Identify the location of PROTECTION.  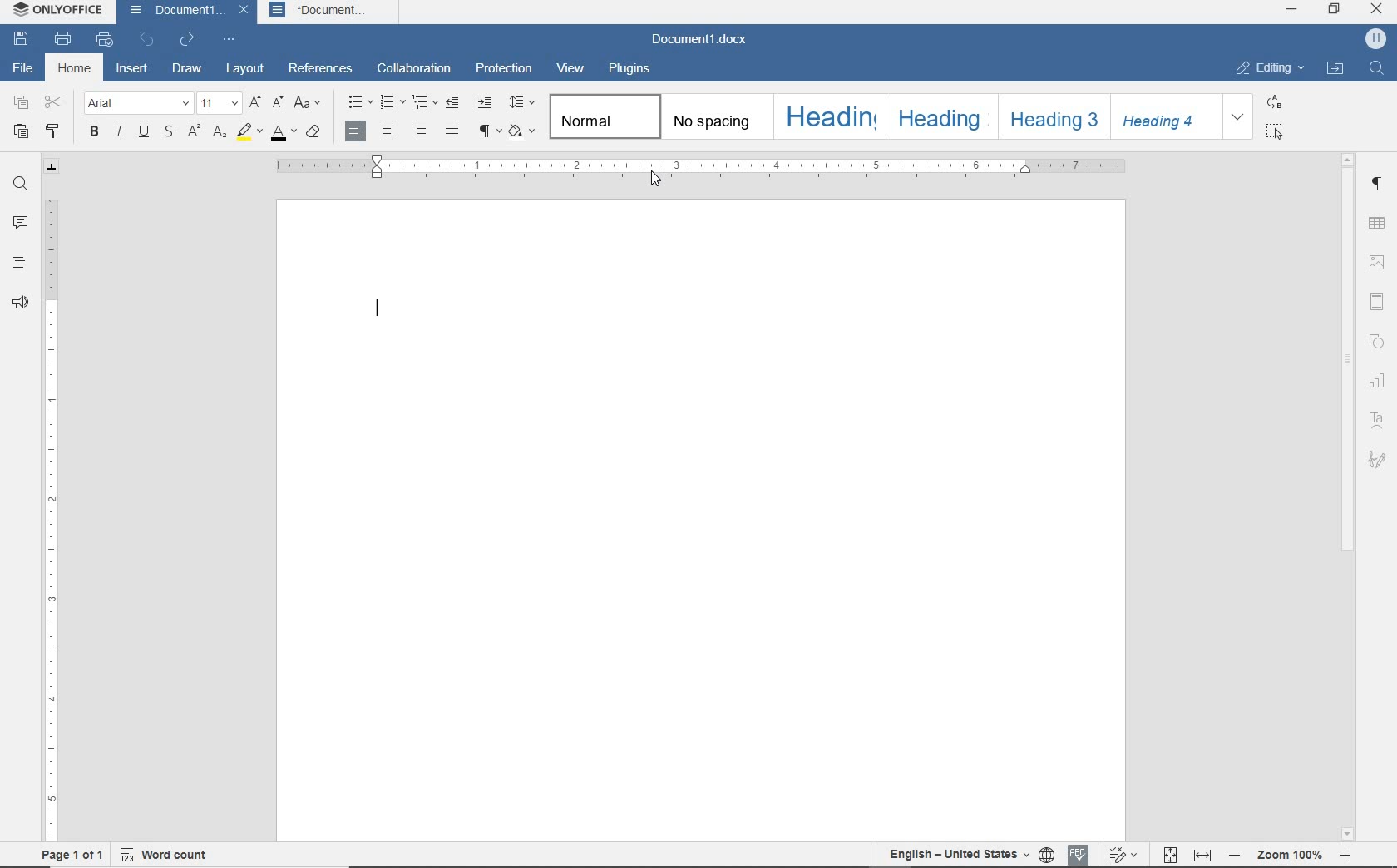
(504, 68).